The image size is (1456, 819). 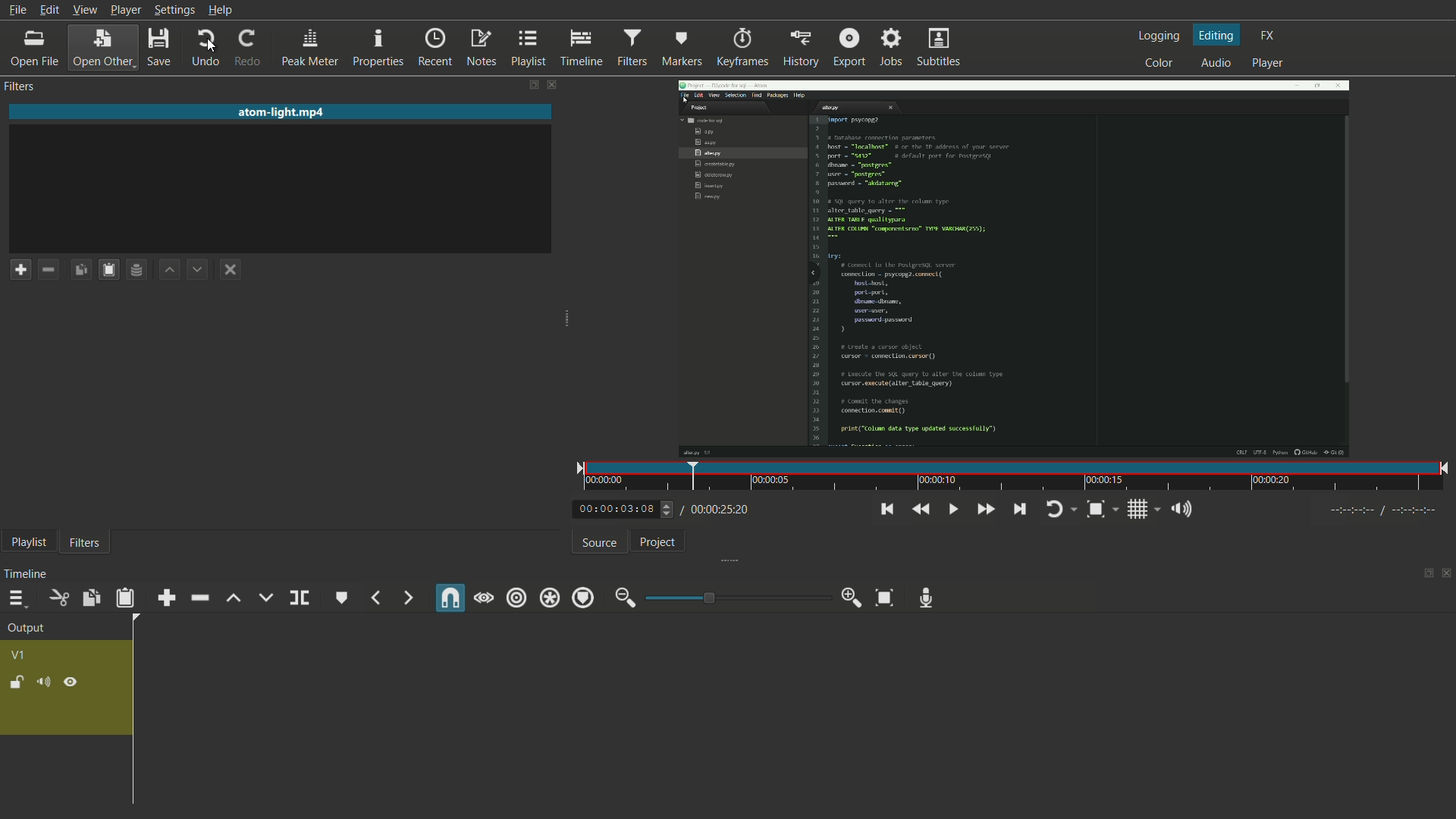 I want to click on Add, so click(x=21, y=268).